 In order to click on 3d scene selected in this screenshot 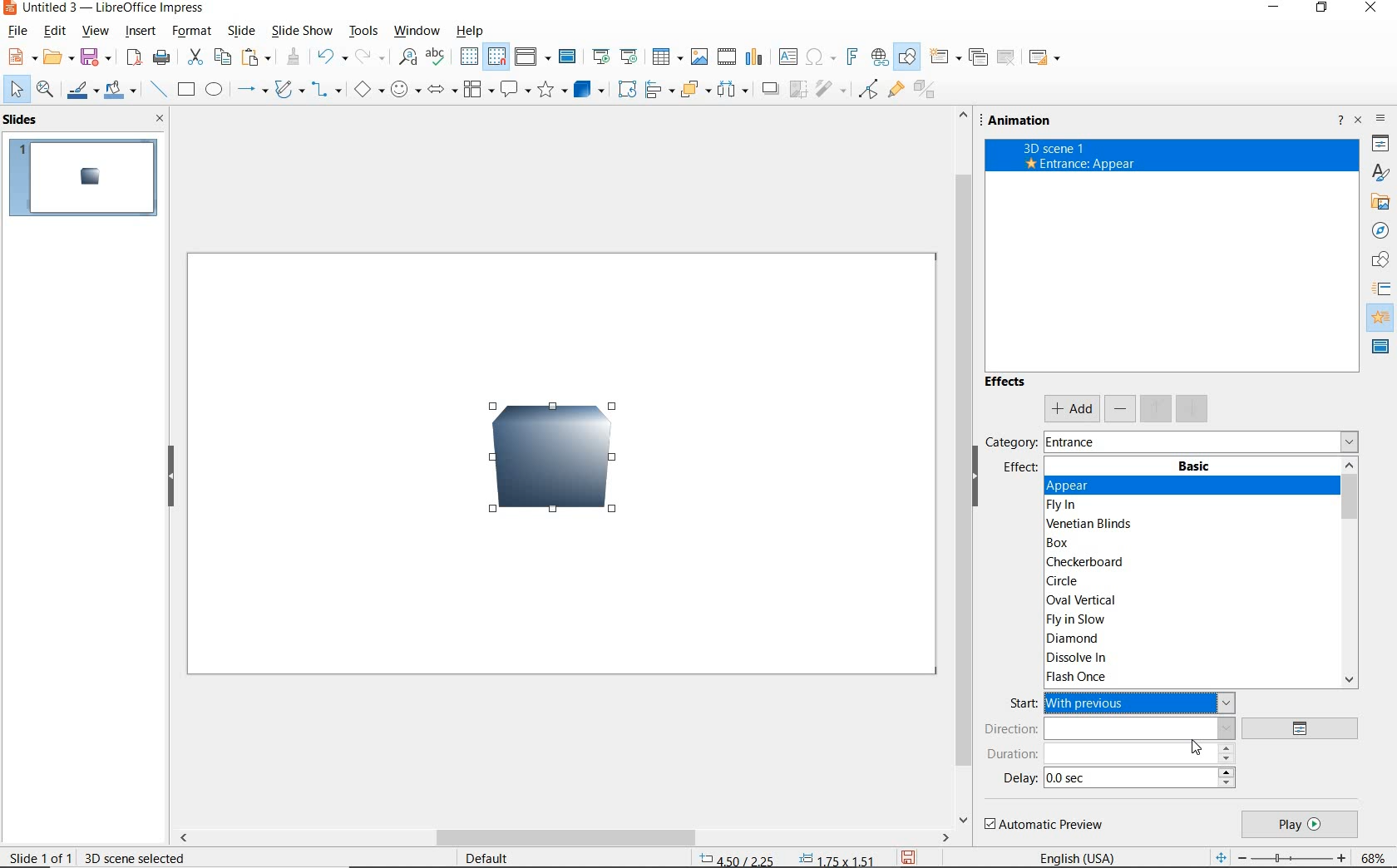, I will do `click(135, 857)`.